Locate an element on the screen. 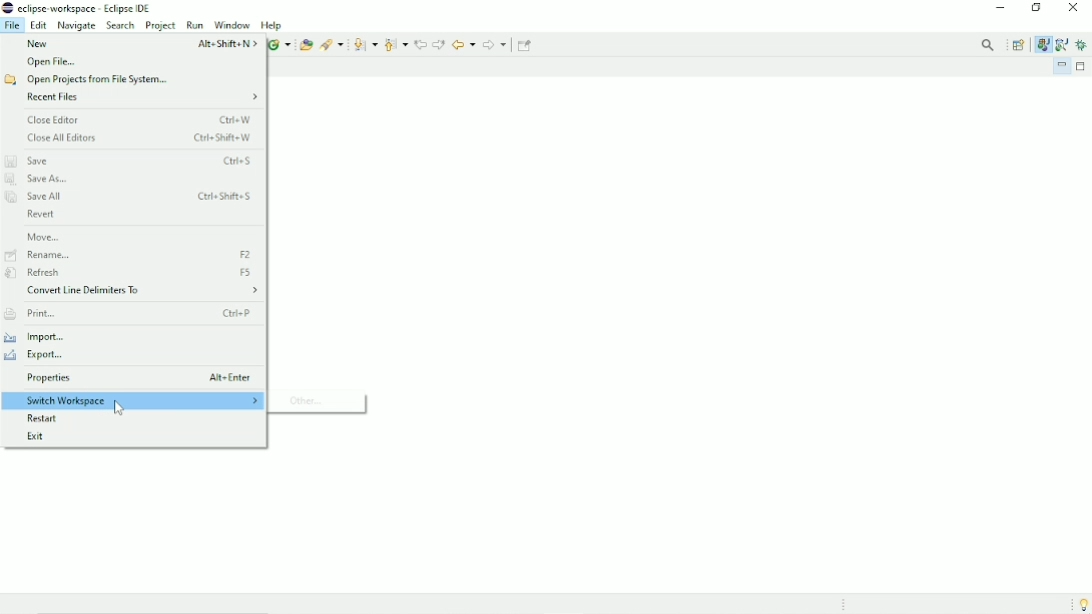 The width and height of the screenshot is (1092, 614). Restore down is located at coordinates (1034, 8).